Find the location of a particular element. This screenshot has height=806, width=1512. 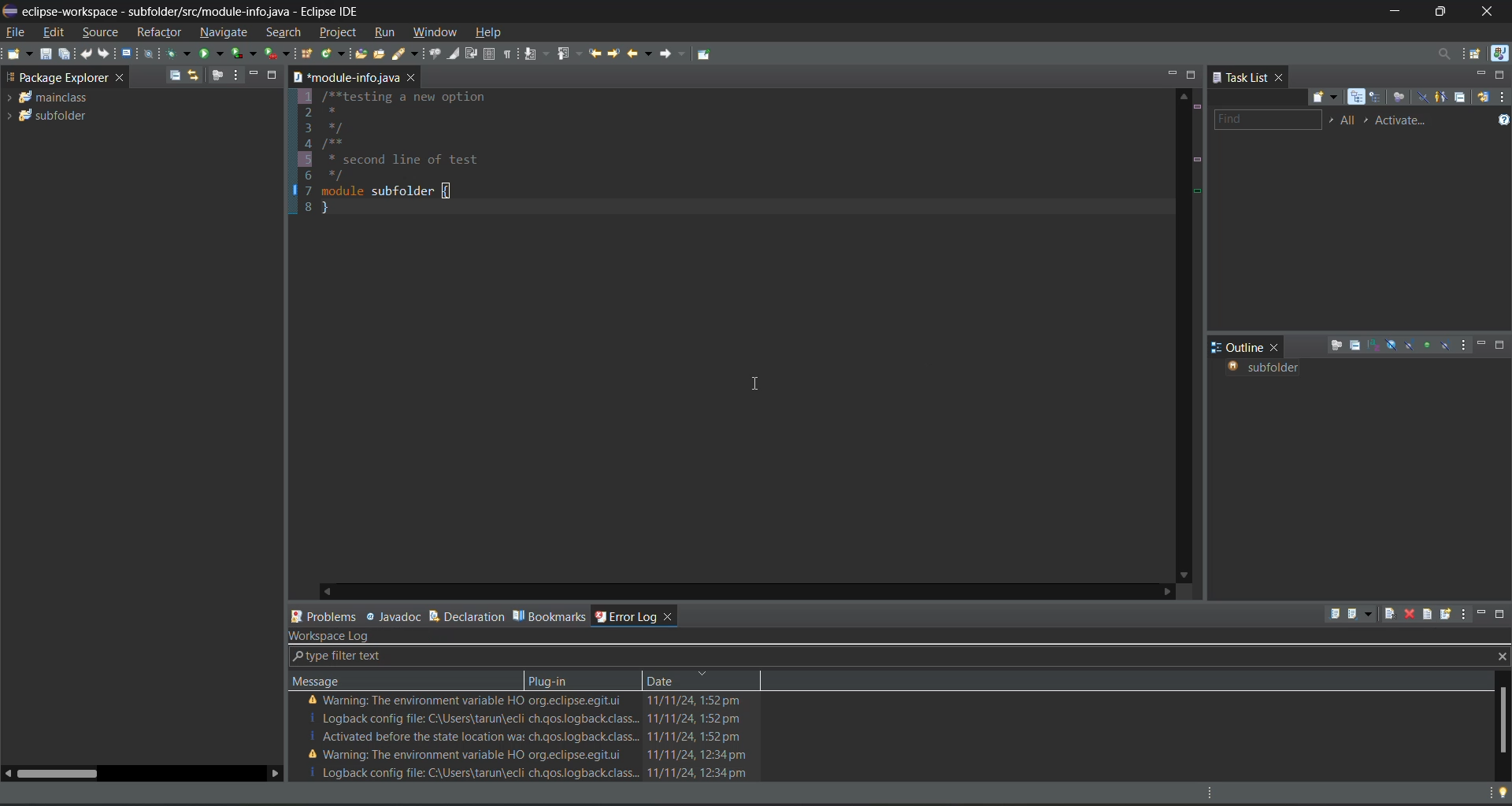

new is located at coordinates (19, 54).